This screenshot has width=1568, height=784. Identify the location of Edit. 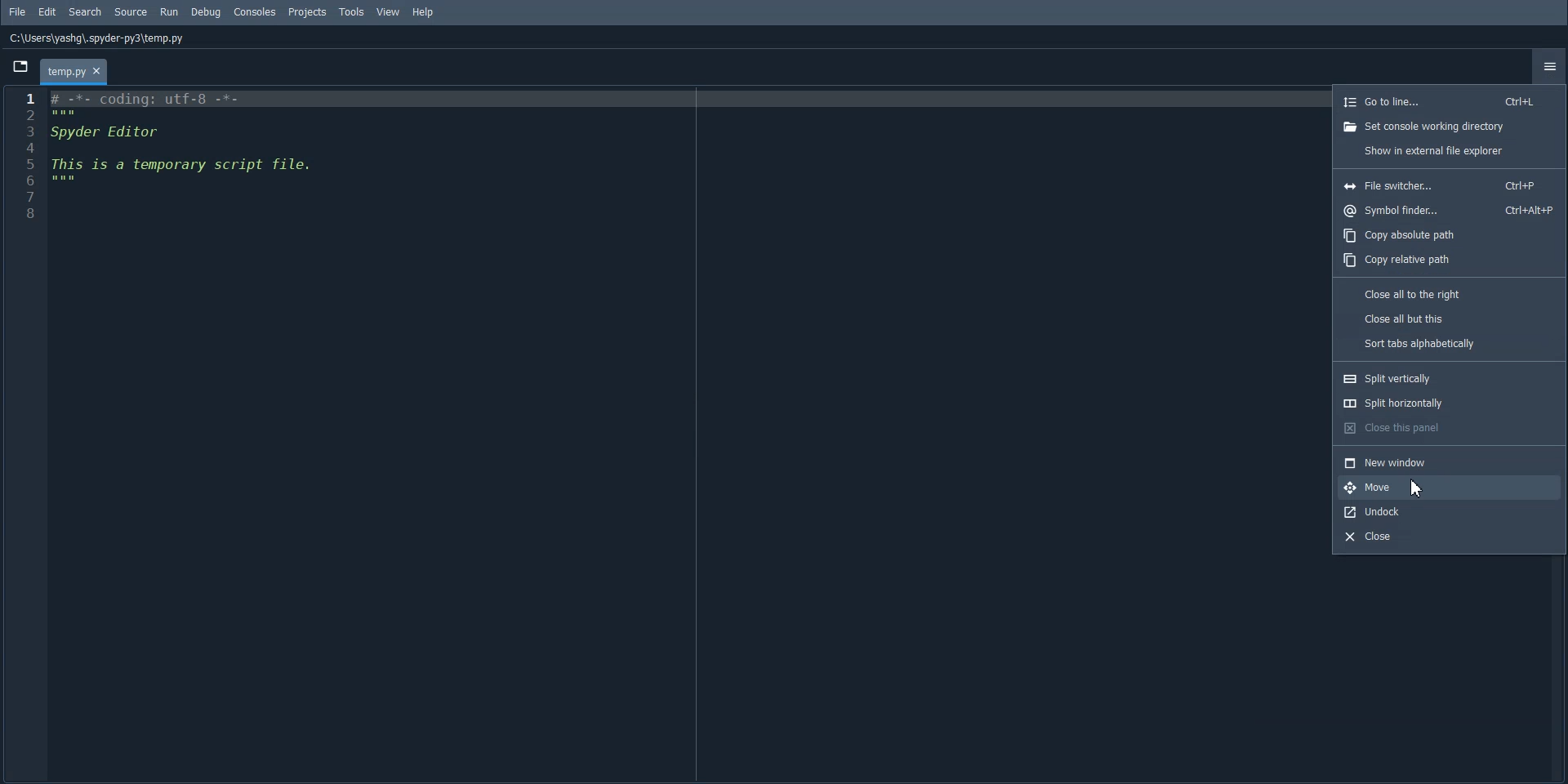
(47, 11).